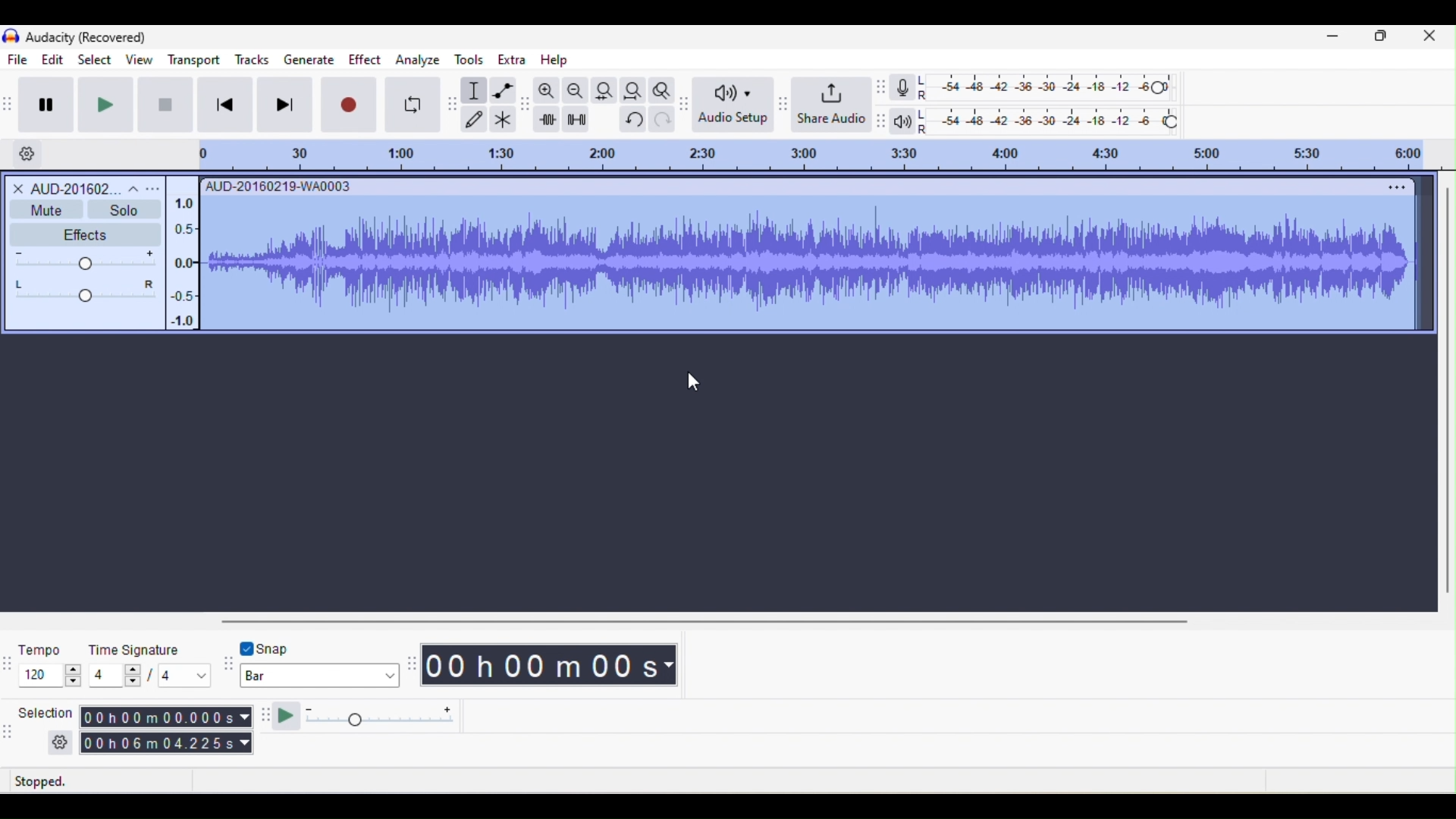 This screenshot has height=819, width=1456. What do you see at coordinates (809, 262) in the screenshot?
I see `"Sliding Stretch" effect applied` at bounding box center [809, 262].